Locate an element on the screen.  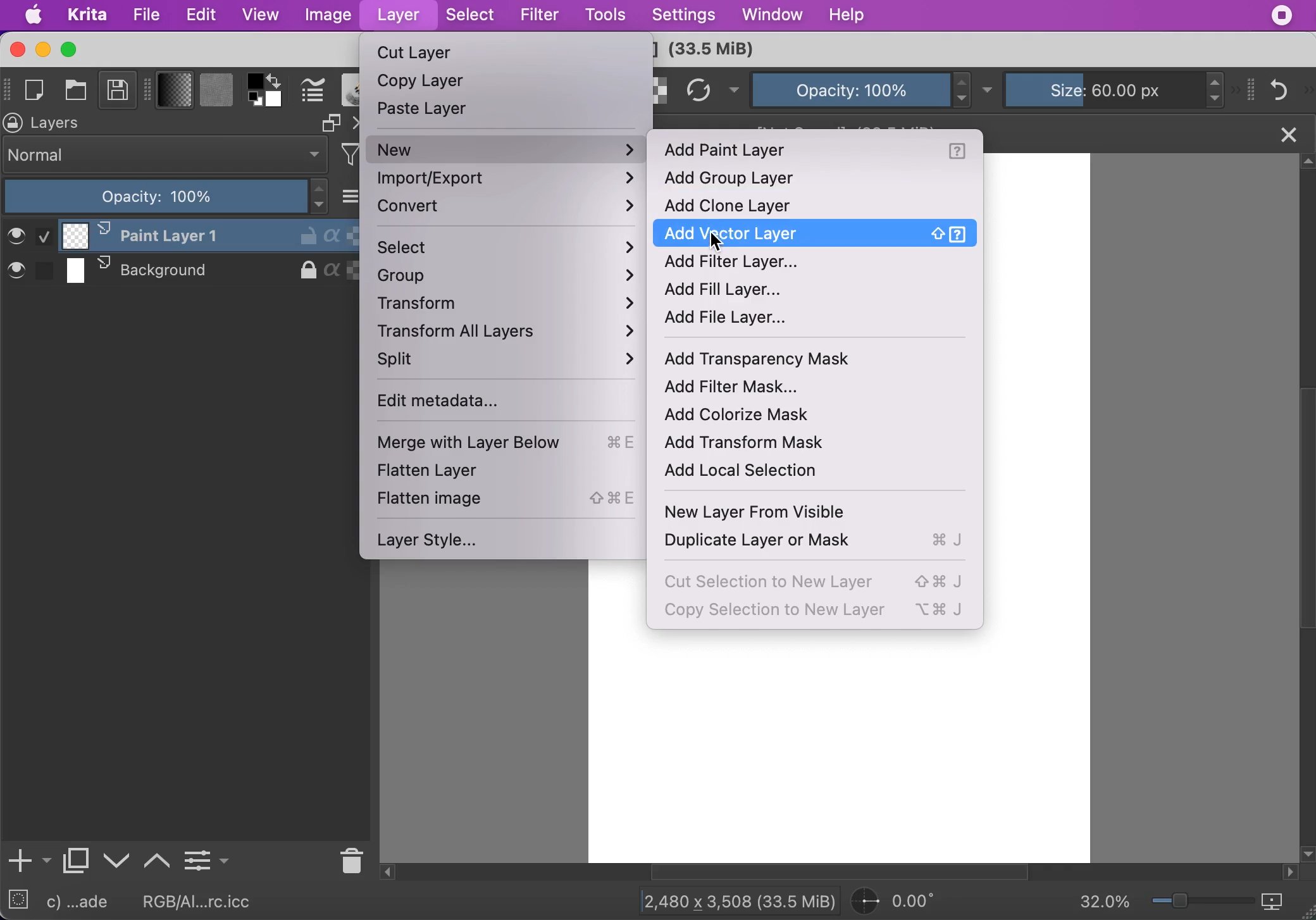
add layer or mask is located at coordinates (28, 862).